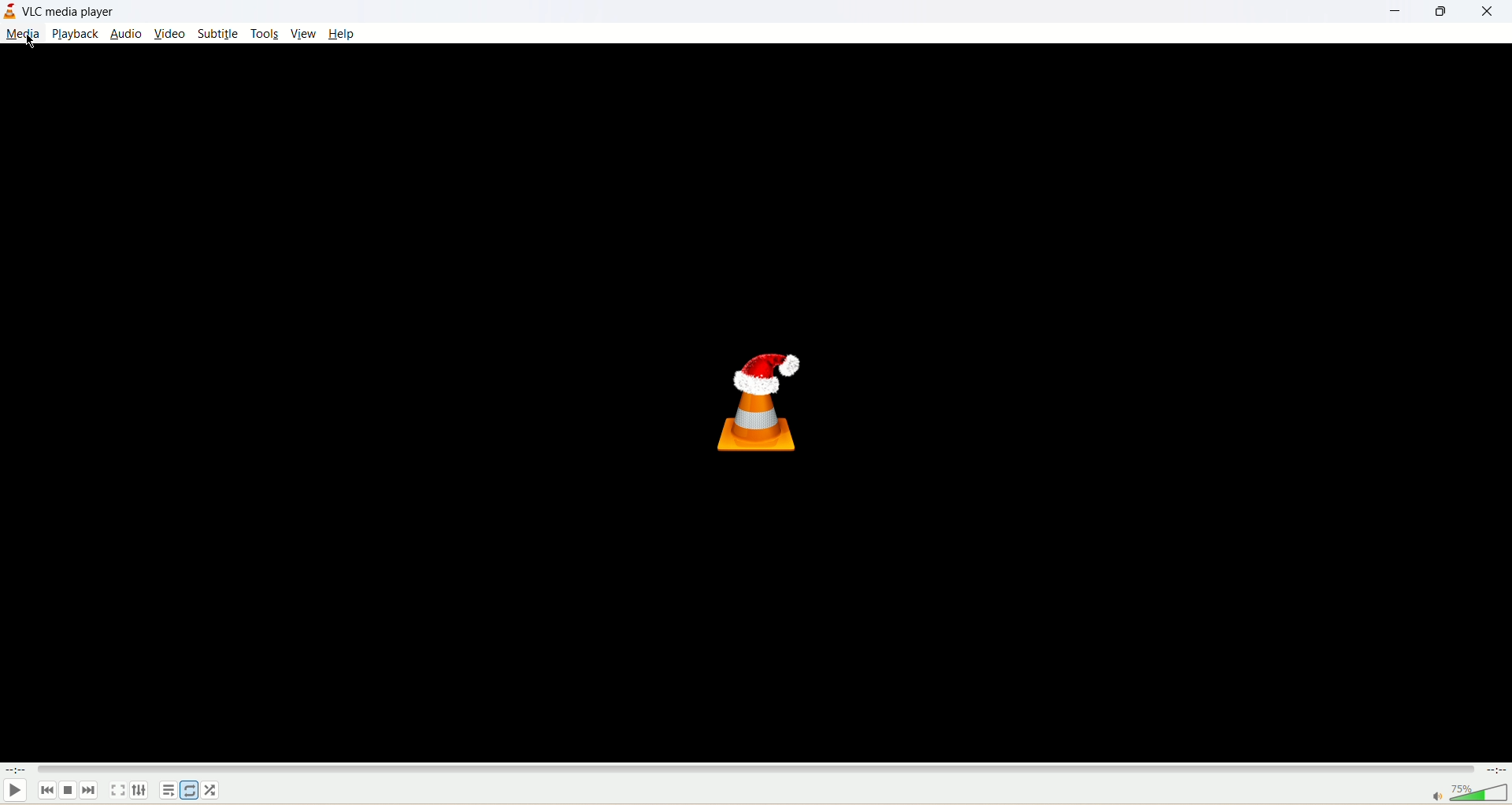 The image size is (1512, 805). I want to click on VLC MEDIA PLAYER, so click(72, 13).